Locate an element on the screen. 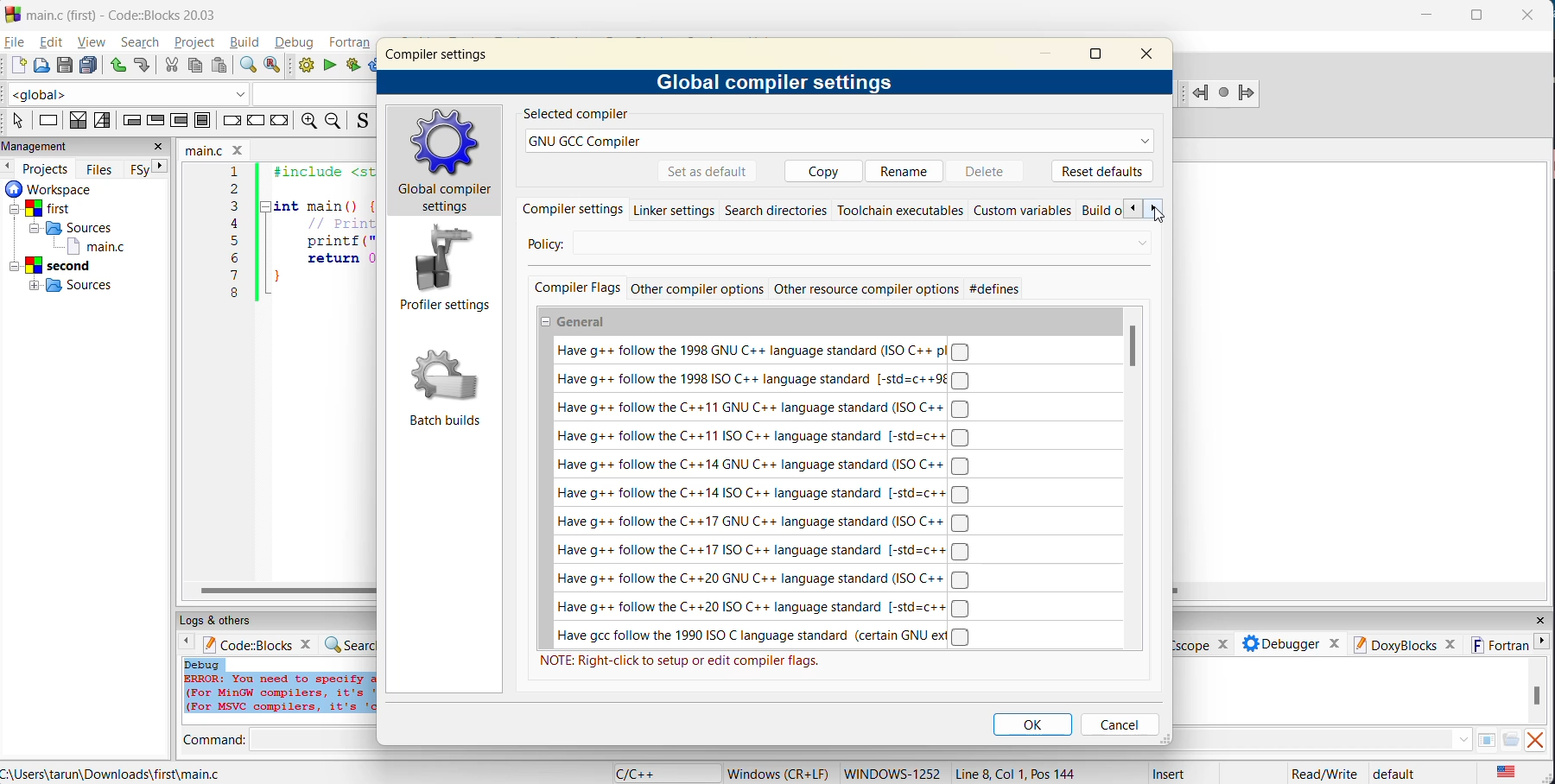  ok is located at coordinates (1033, 724).